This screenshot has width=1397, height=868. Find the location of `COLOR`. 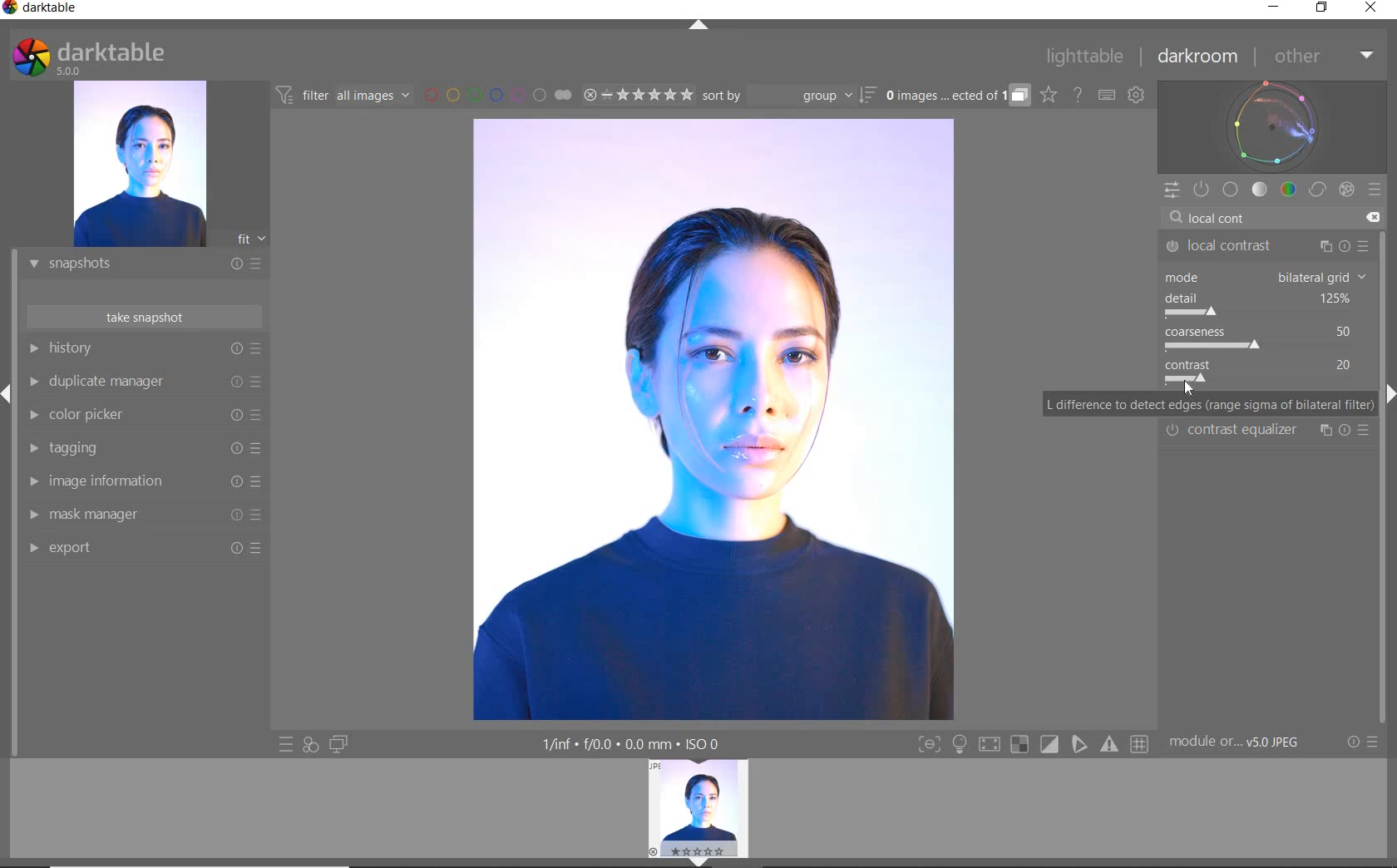

COLOR is located at coordinates (1289, 189).